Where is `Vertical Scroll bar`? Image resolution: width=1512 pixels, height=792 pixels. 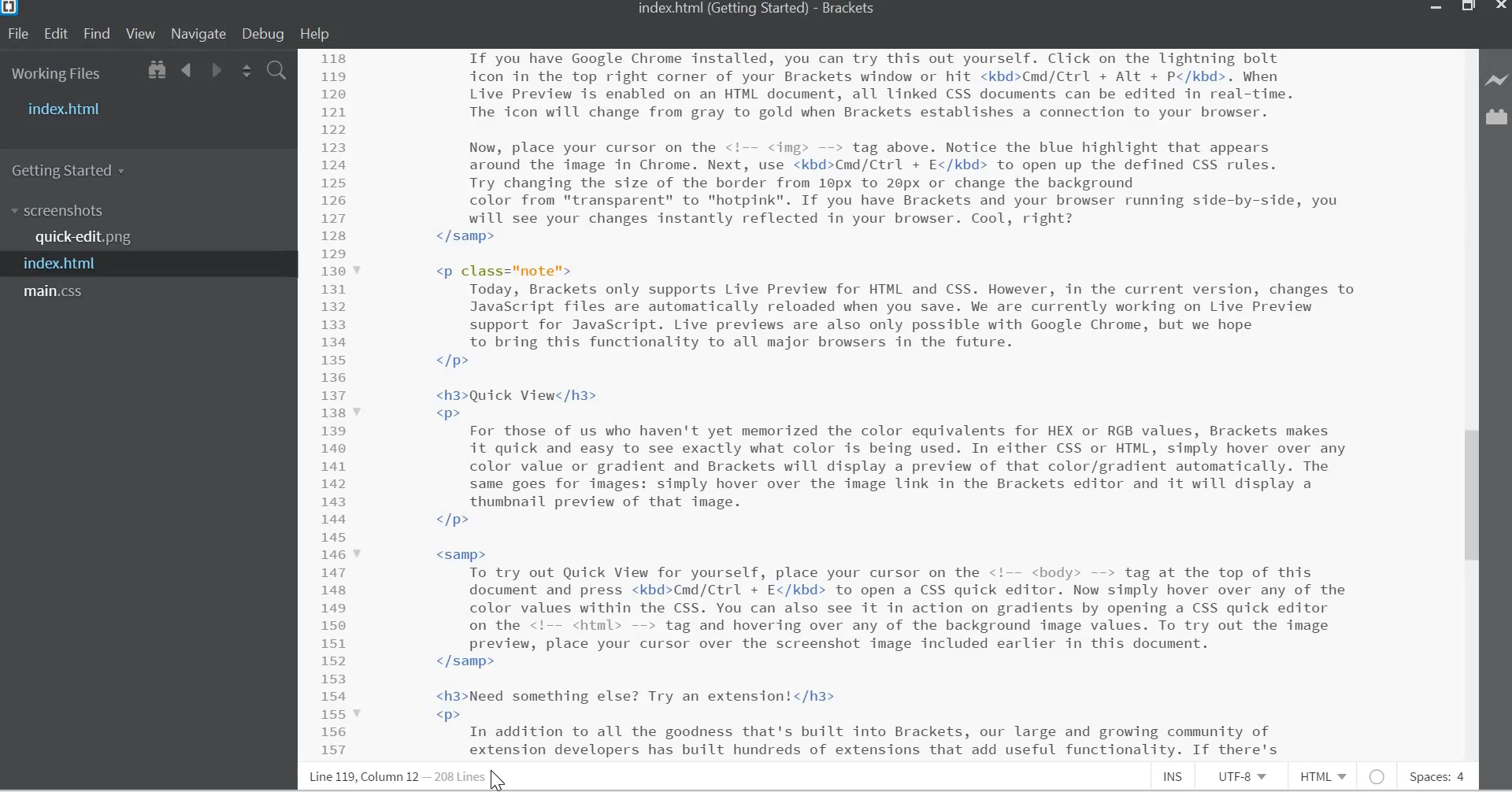
Vertical Scroll bar is located at coordinates (1472, 494).